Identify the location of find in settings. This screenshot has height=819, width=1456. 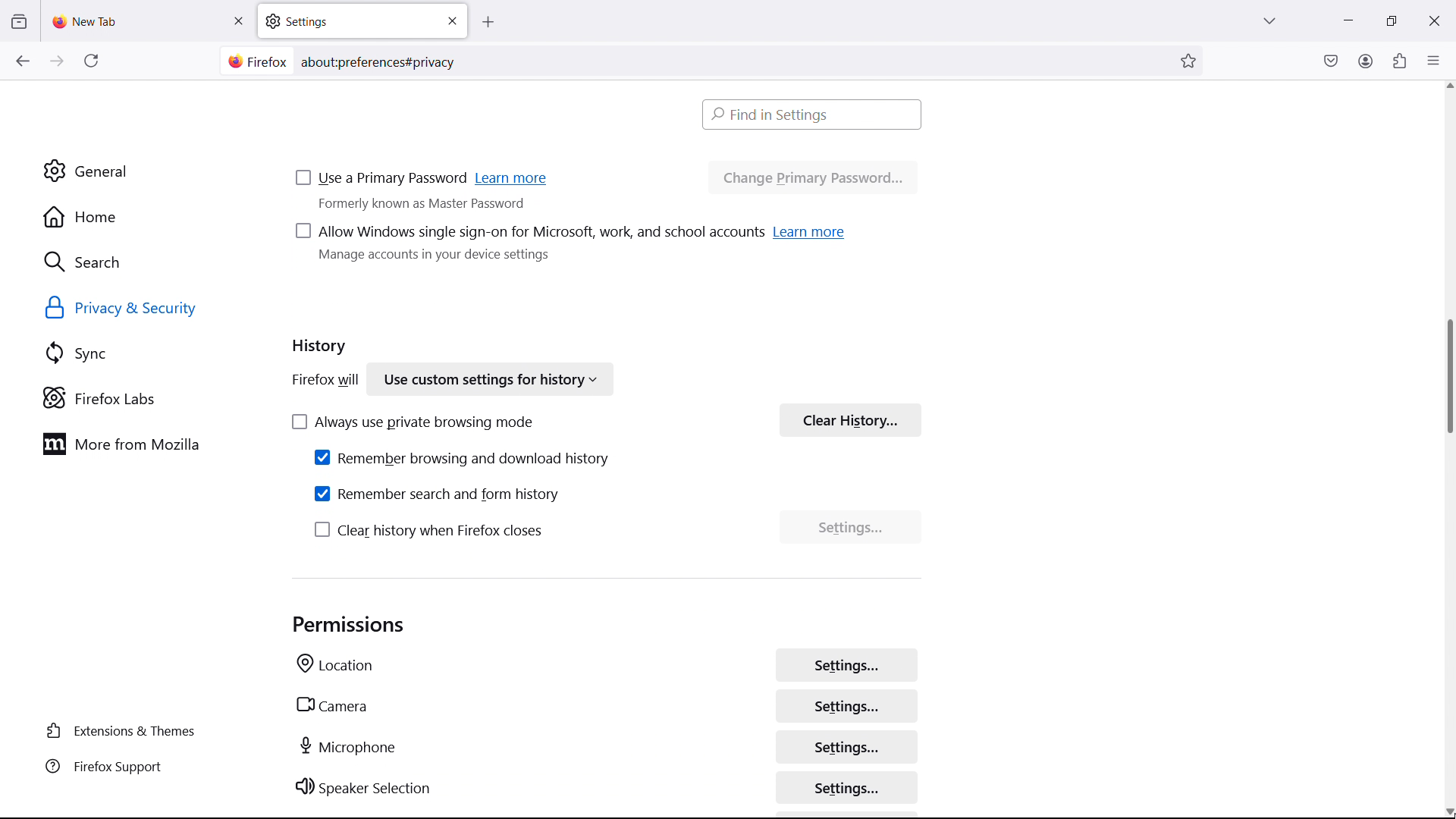
(813, 114).